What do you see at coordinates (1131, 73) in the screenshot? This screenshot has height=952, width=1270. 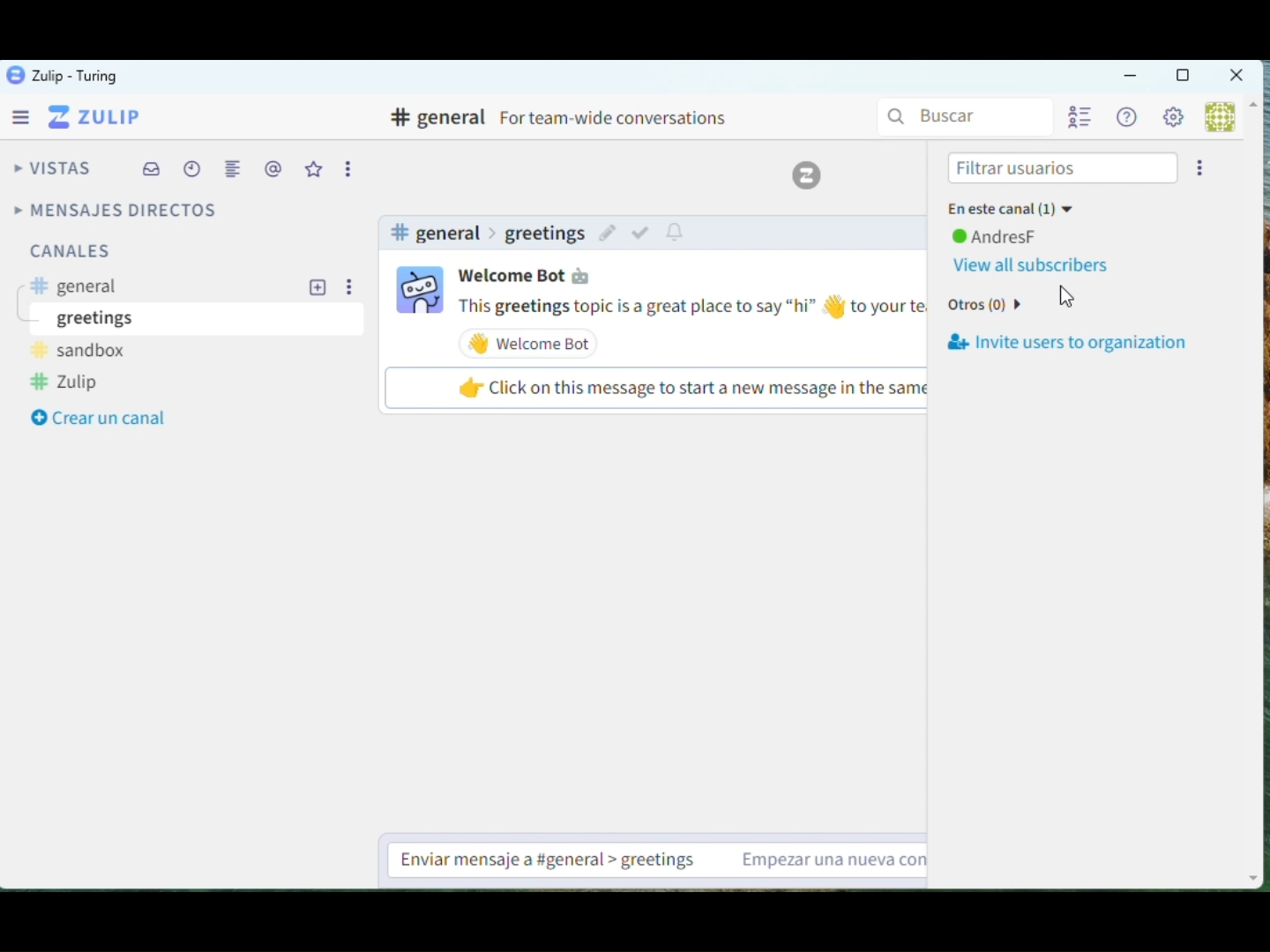 I see `Minimize` at bounding box center [1131, 73].